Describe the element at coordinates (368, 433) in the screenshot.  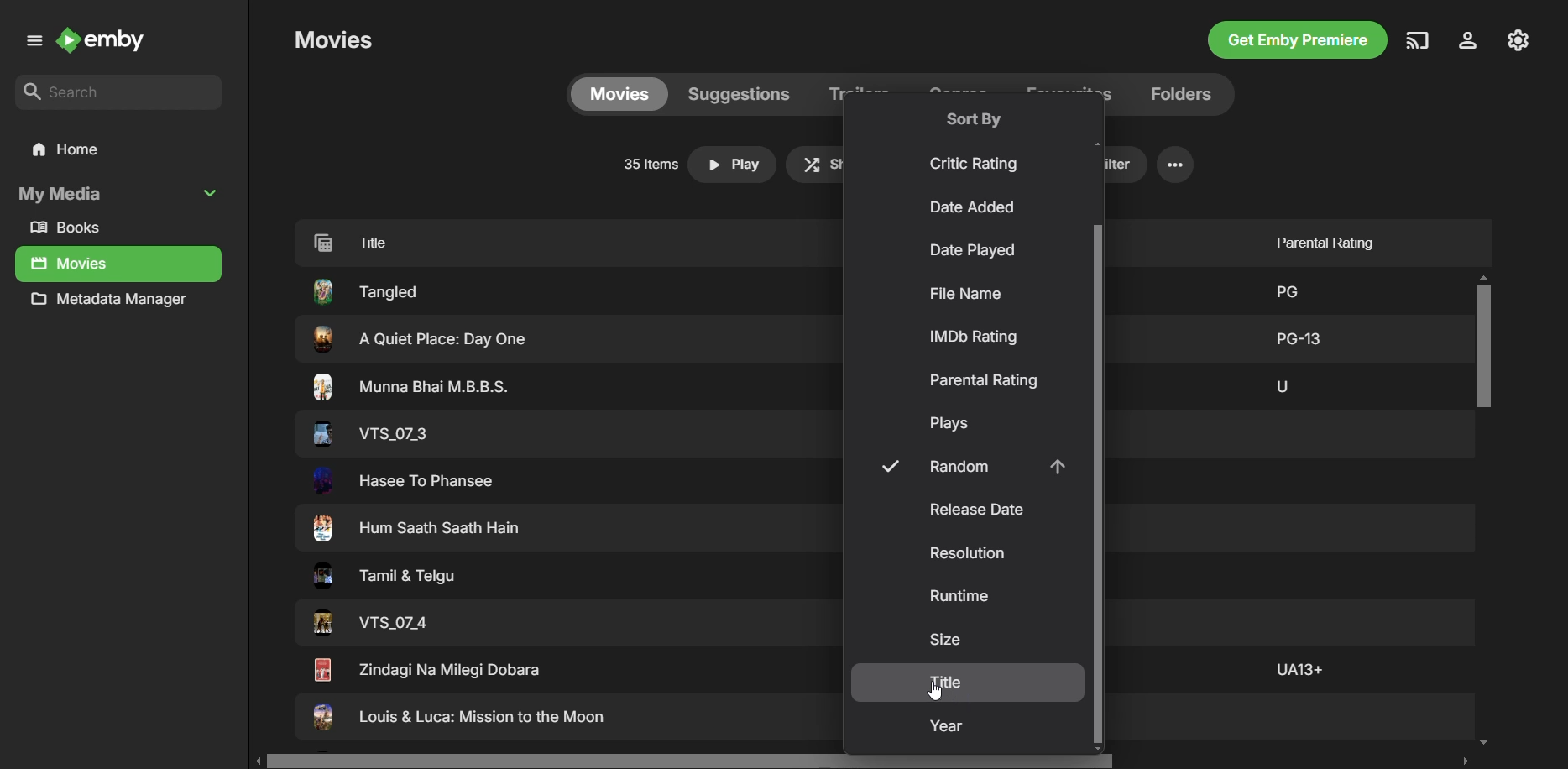
I see `` at that location.